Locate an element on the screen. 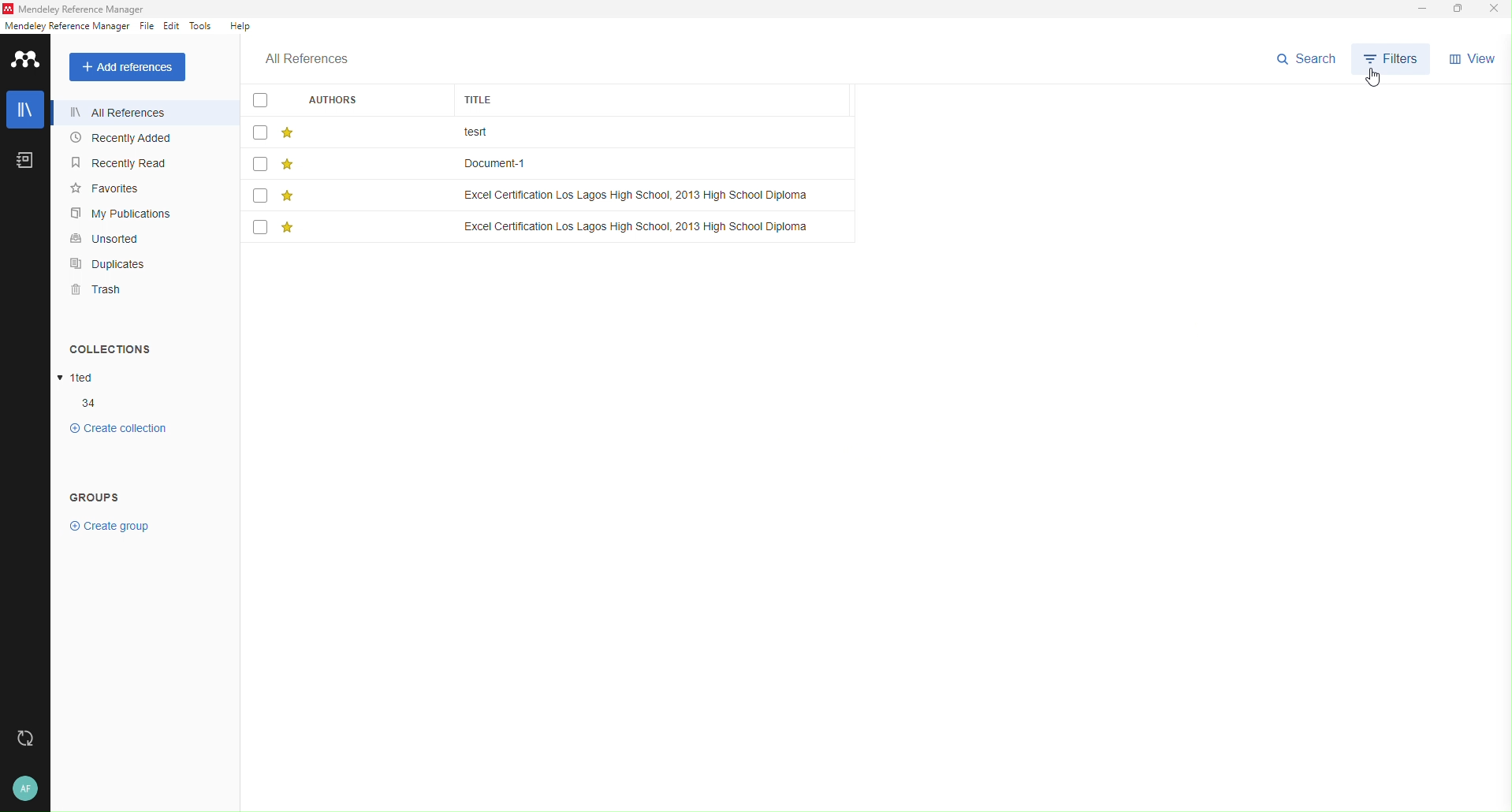 The width and height of the screenshot is (1512, 812). Recently Added is located at coordinates (128, 140).